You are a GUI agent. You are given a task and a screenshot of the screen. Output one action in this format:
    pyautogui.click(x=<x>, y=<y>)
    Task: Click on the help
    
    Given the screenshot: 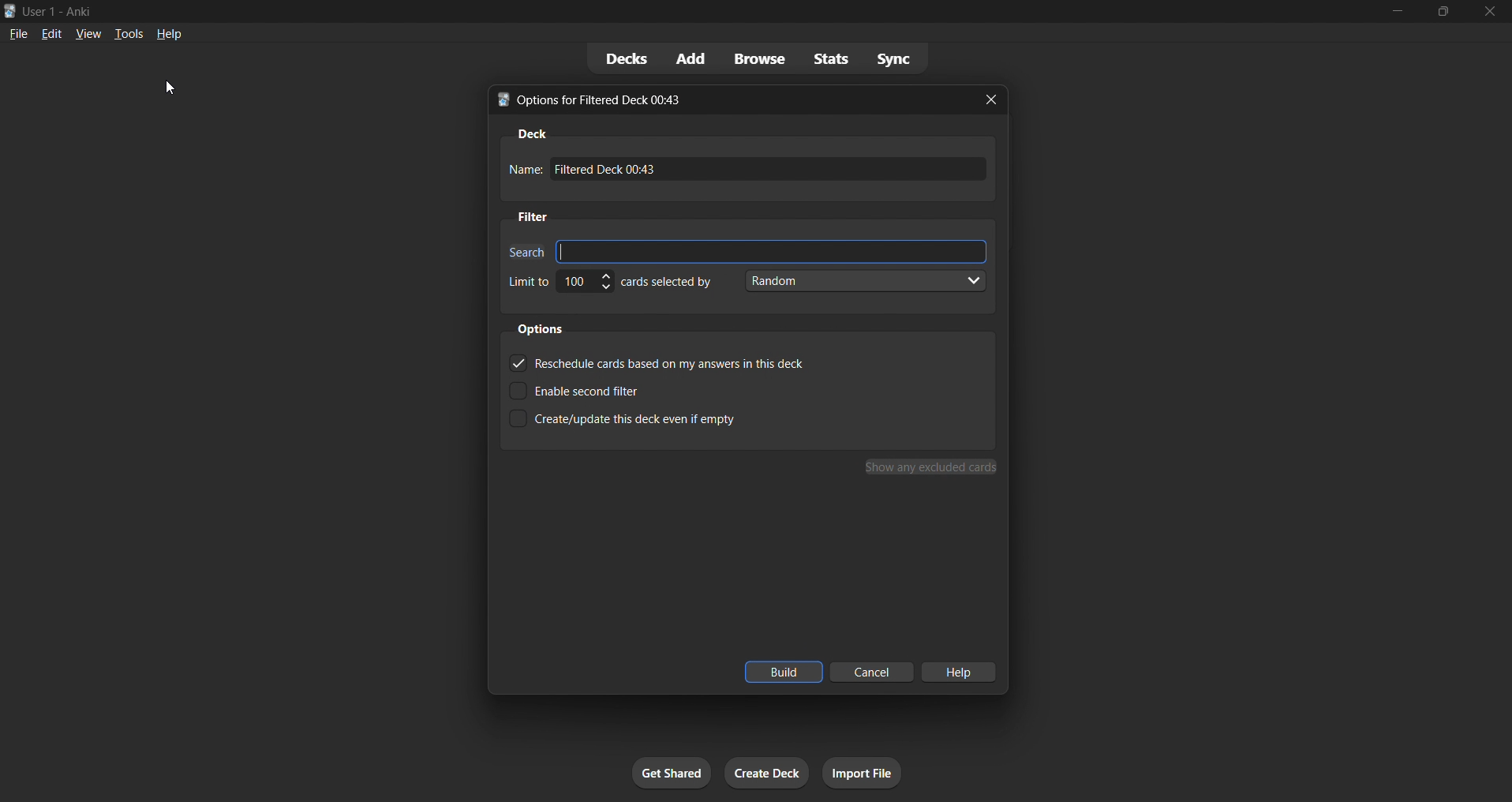 What is the action you would take?
    pyautogui.click(x=174, y=36)
    